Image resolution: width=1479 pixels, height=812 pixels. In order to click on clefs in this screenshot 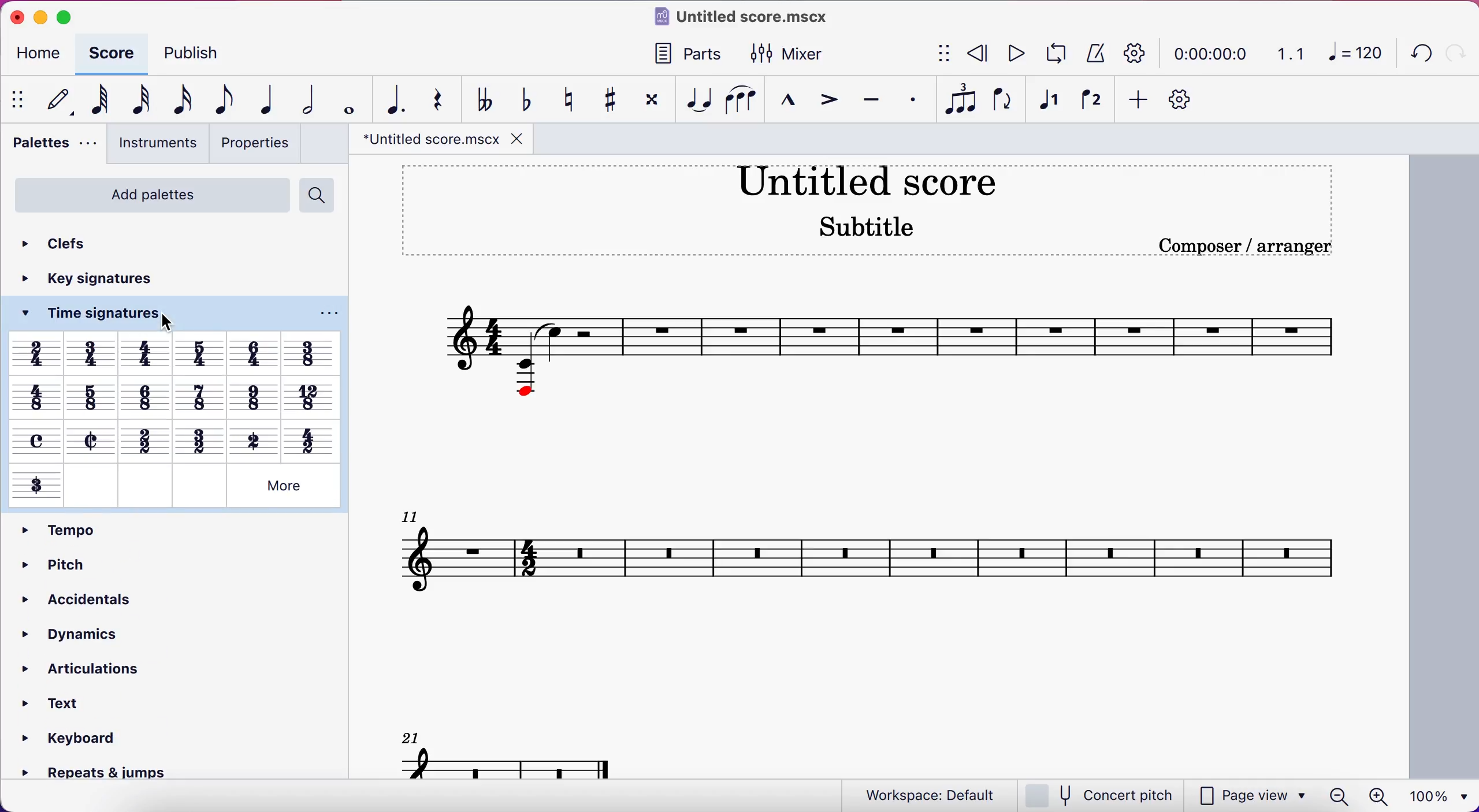, I will do `click(68, 243)`.